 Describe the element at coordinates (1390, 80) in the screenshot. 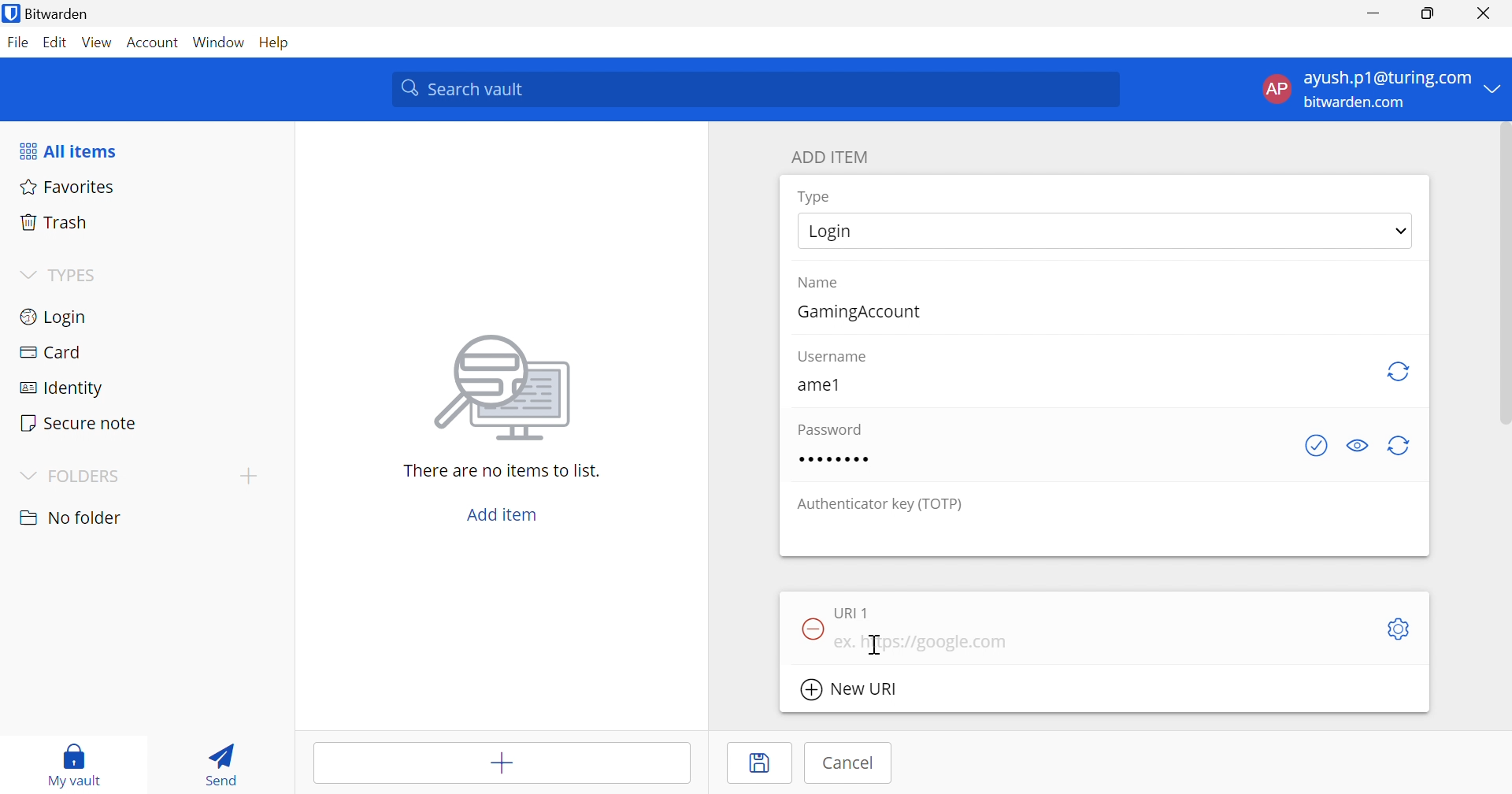

I see `ayush.p1@turing.com` at that location.